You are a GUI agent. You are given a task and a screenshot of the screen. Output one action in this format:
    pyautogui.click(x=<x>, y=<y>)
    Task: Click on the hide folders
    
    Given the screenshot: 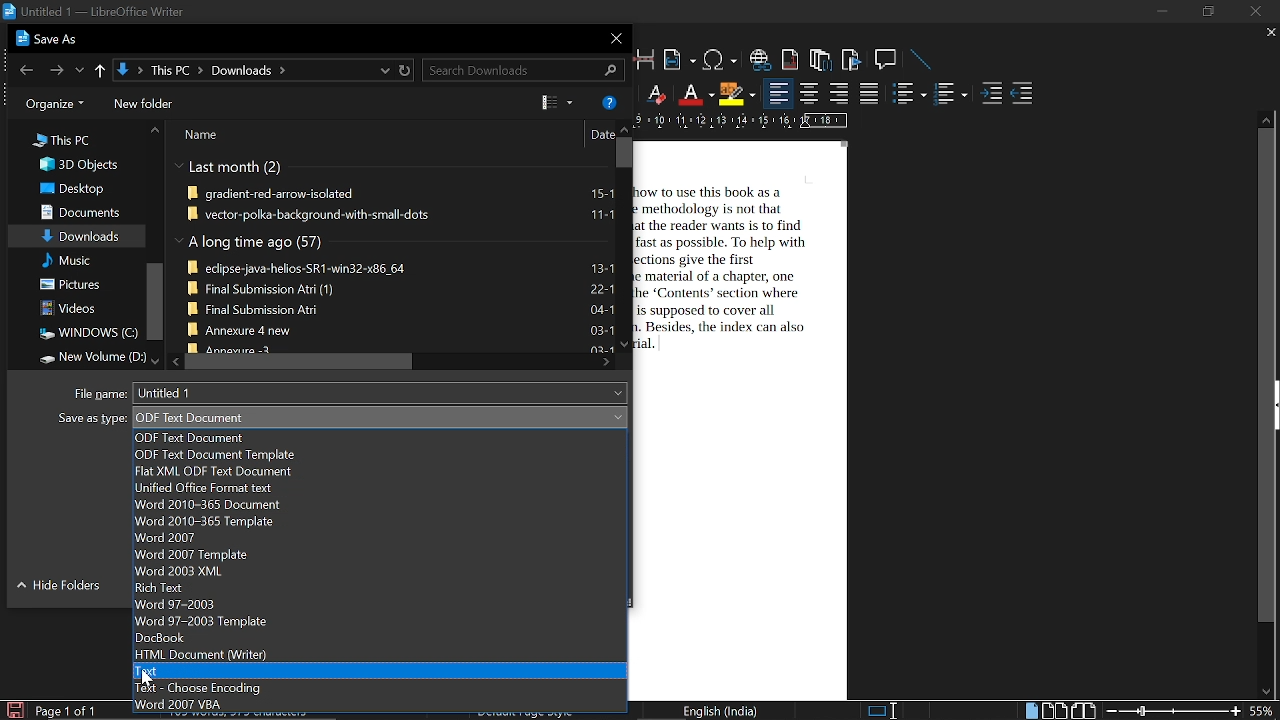 What is the action you would take?
    pyautogui.click(x=62, y=589)
    